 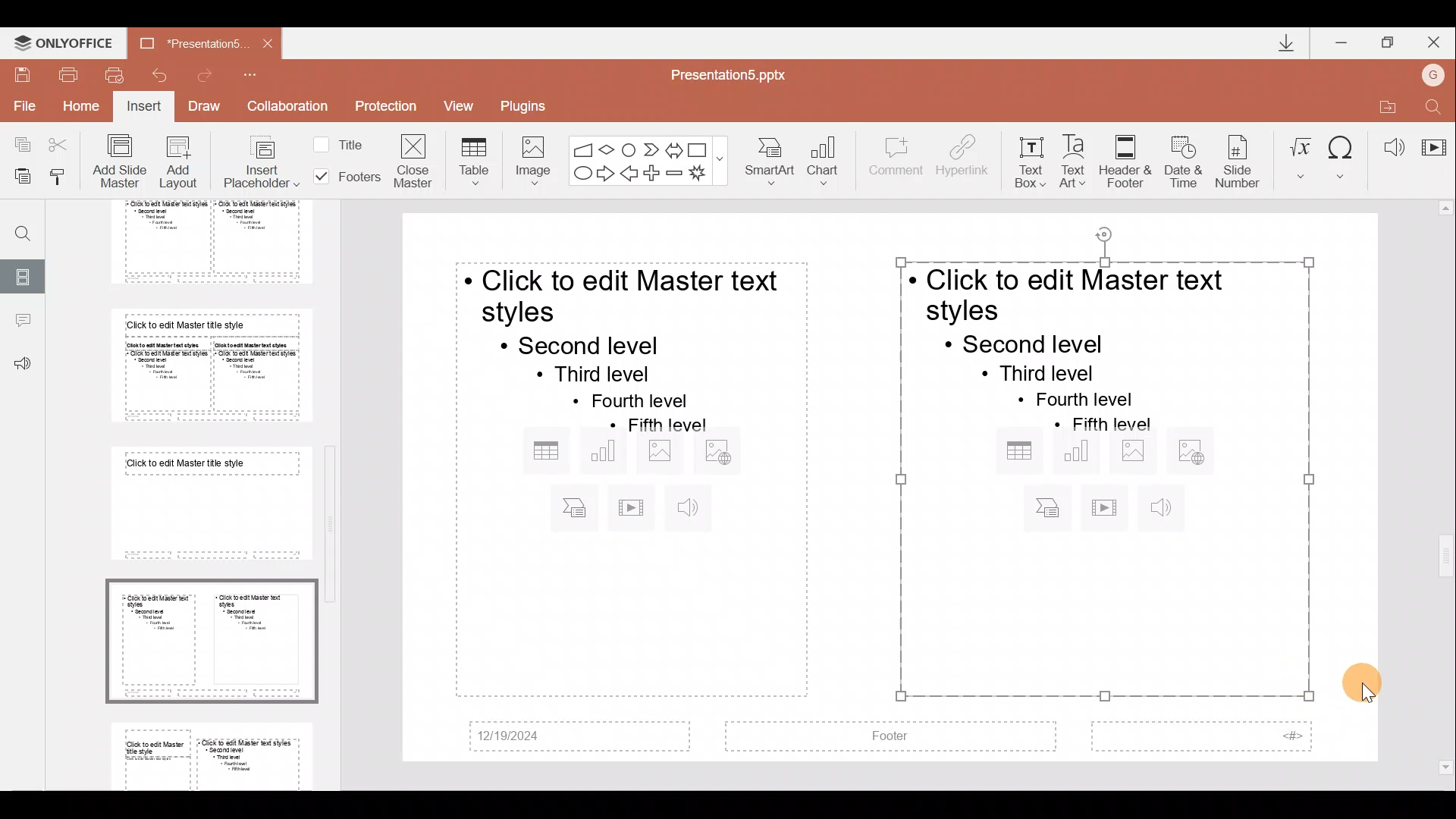 I want to click on Slide 6, so click(x=206, y=365).